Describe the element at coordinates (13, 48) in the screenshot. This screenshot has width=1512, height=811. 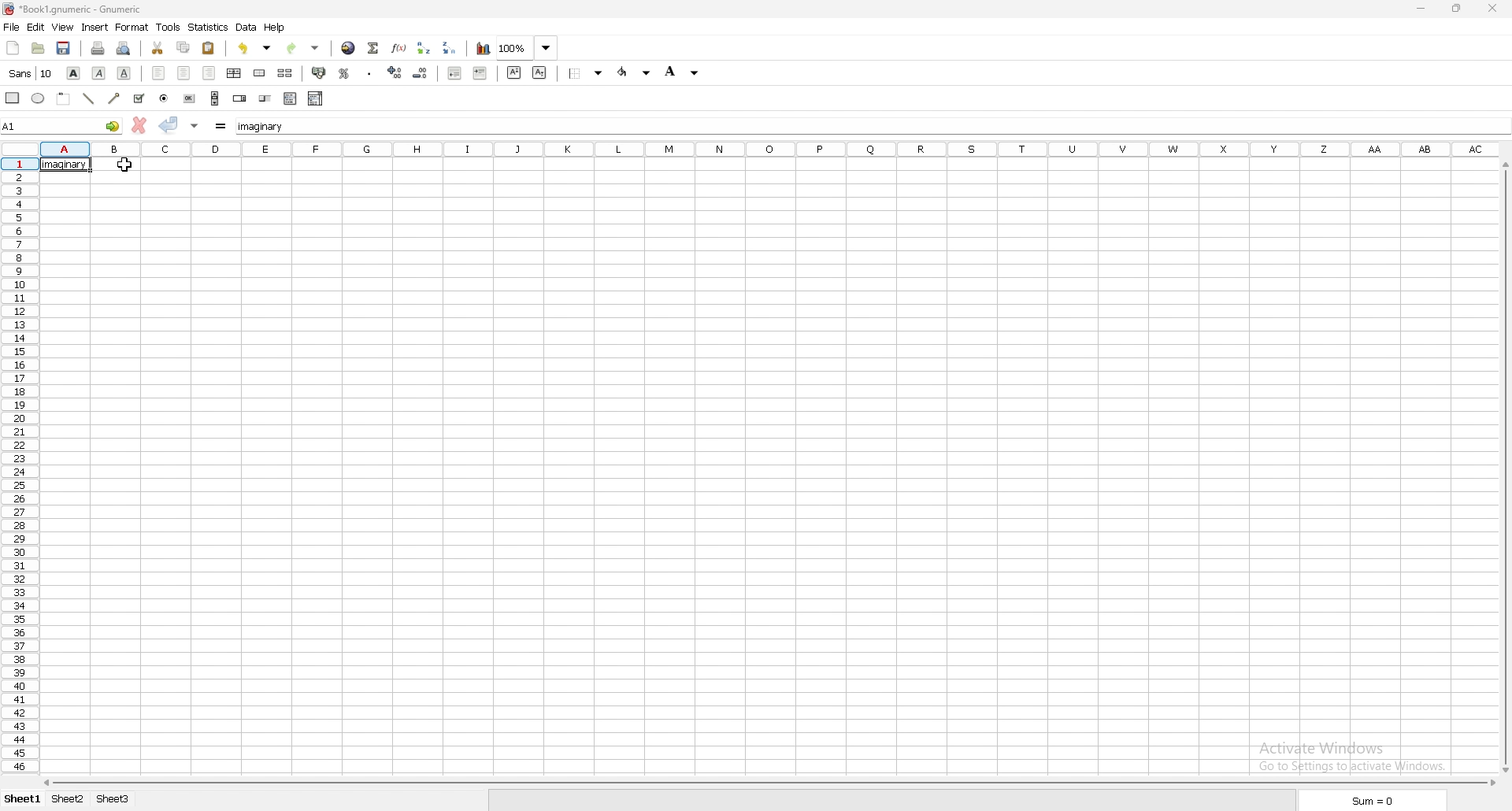
I see `new` at that location.